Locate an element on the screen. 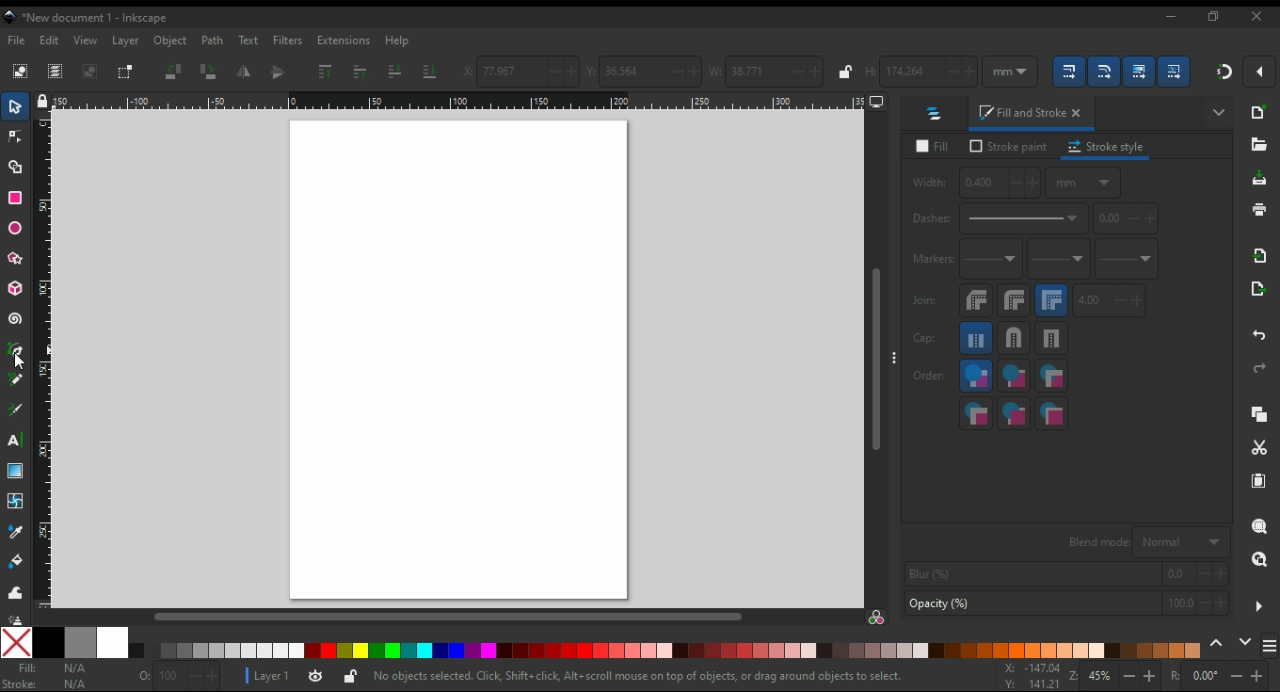 The height and width of the screenshot is (692, 1280). markers, stoke, fills is located at coordinates (1052, 412).